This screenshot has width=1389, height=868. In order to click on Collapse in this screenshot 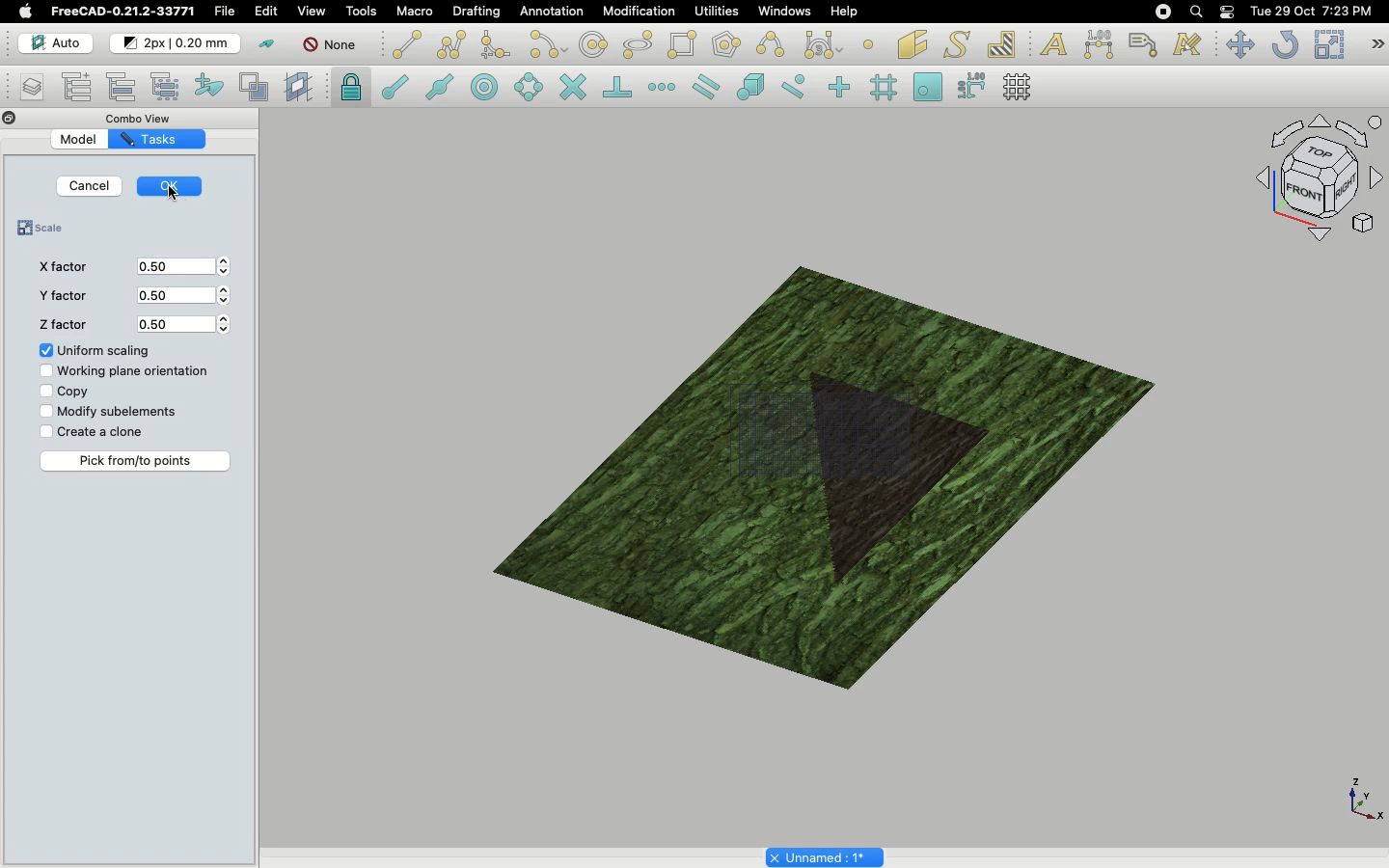, I will do `click(27, 119)`.